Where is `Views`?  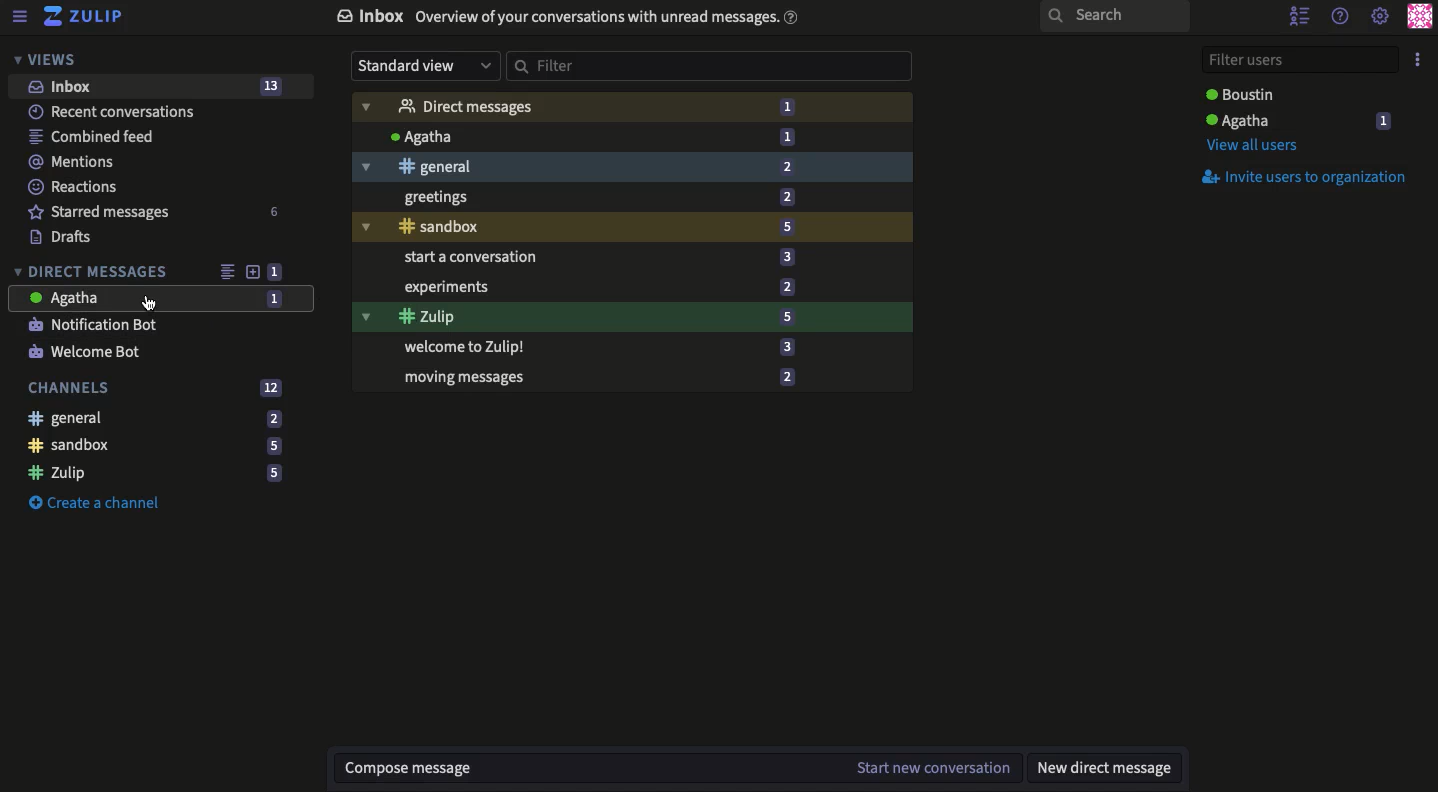
Views is located at coordinates (50, 60).